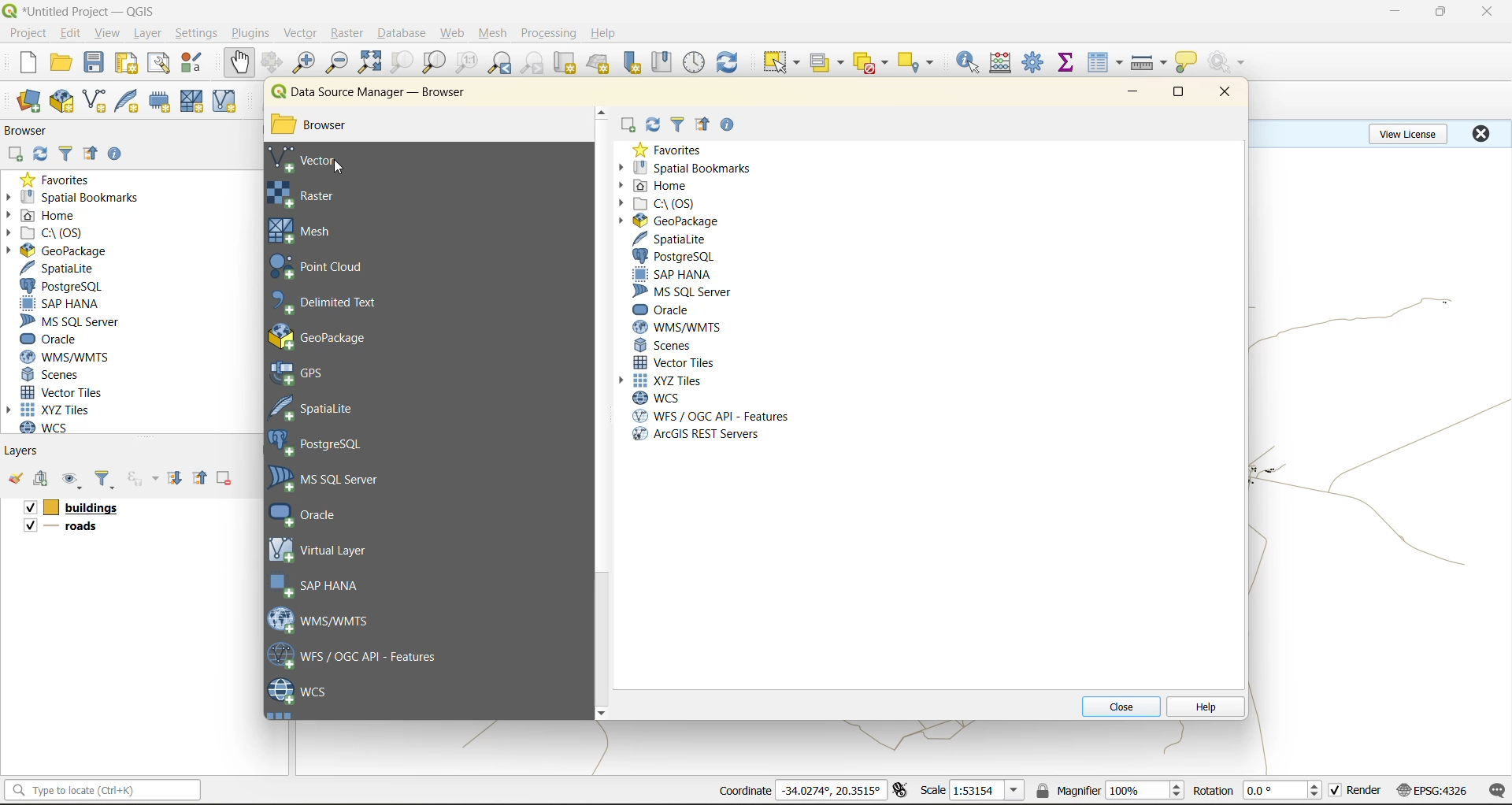 The height and width of the screenshot is (805, 1512). Describe the element at coordinates (675, 361) in the screenshot. I see `vector tiles` at that location.